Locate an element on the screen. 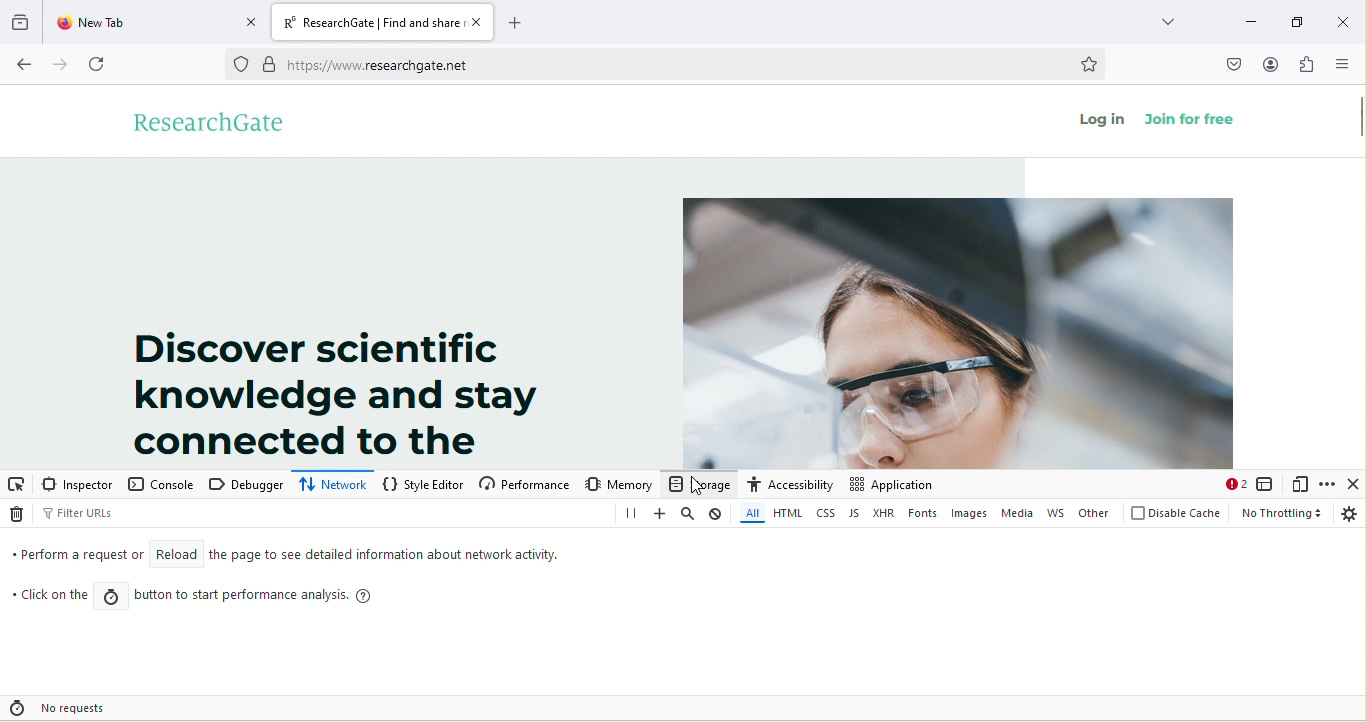 This screenshot has width=1366, height=722. responsive design mode is located at coordinates (1300, 486).